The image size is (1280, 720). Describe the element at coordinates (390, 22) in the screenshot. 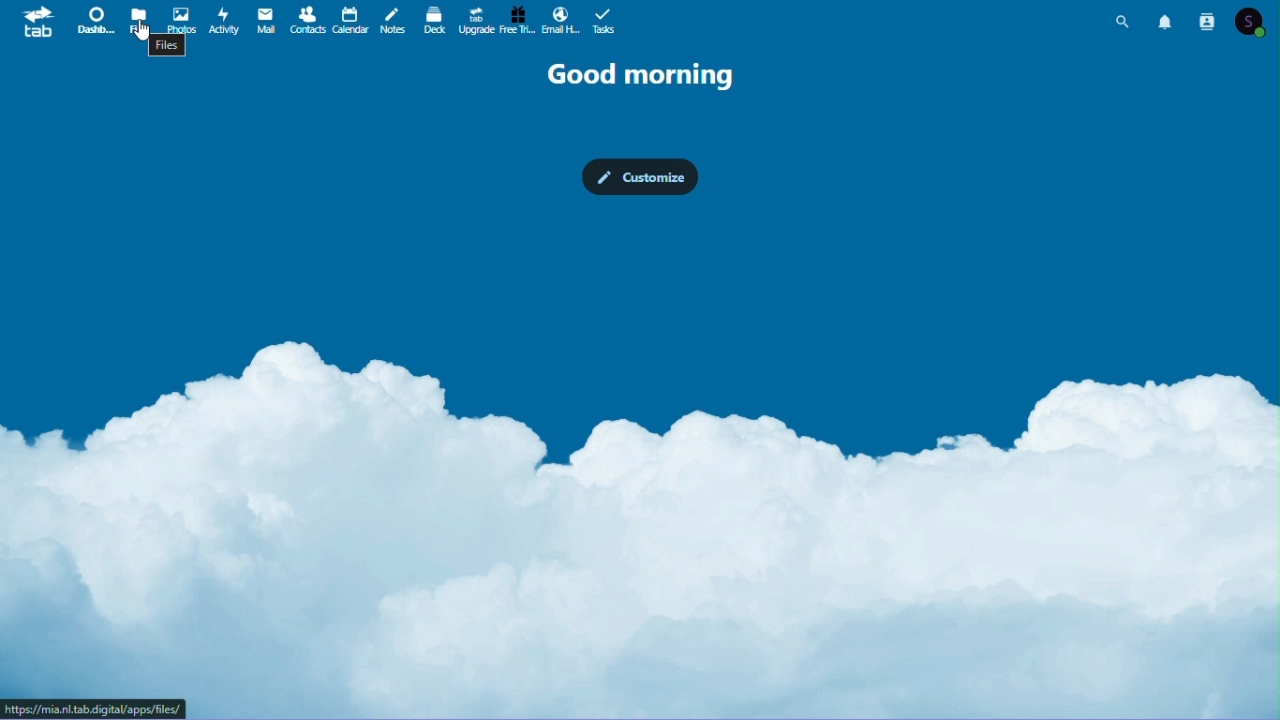

I see `notes` at that location.